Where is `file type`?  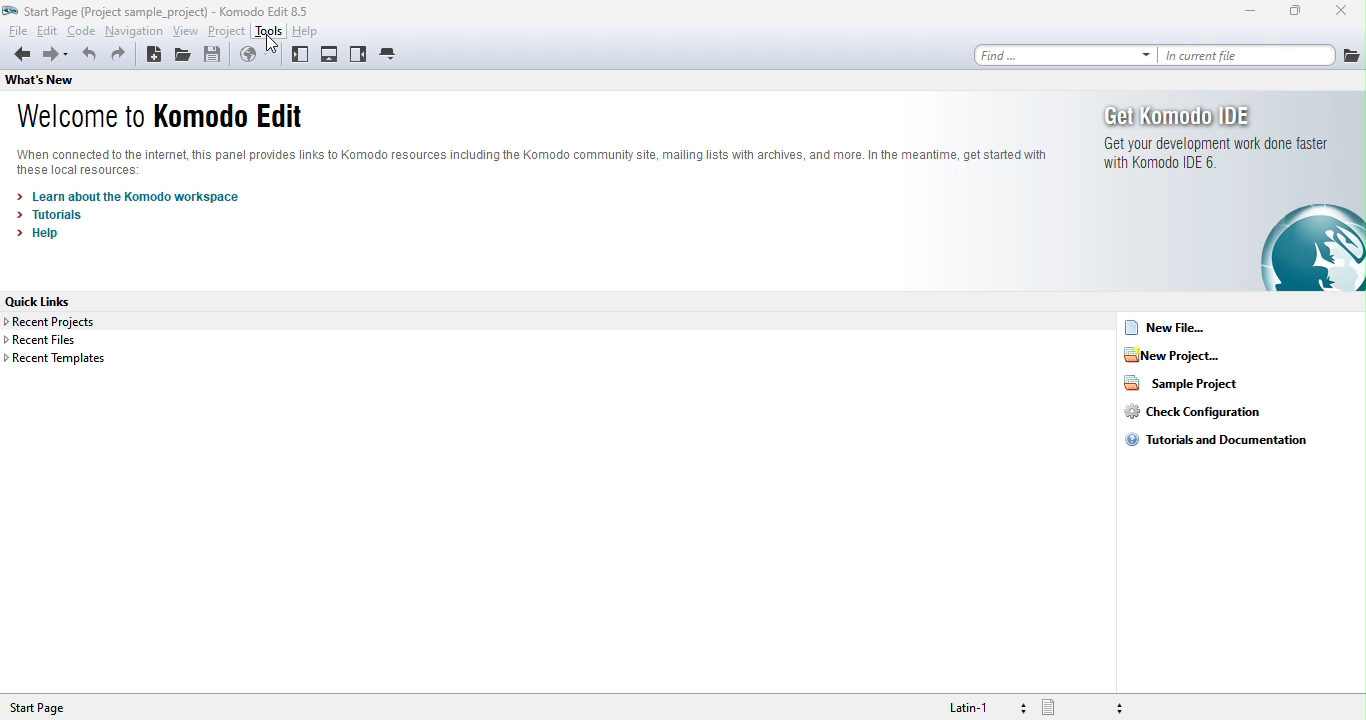 file type is located at coordinates (1086, 707).